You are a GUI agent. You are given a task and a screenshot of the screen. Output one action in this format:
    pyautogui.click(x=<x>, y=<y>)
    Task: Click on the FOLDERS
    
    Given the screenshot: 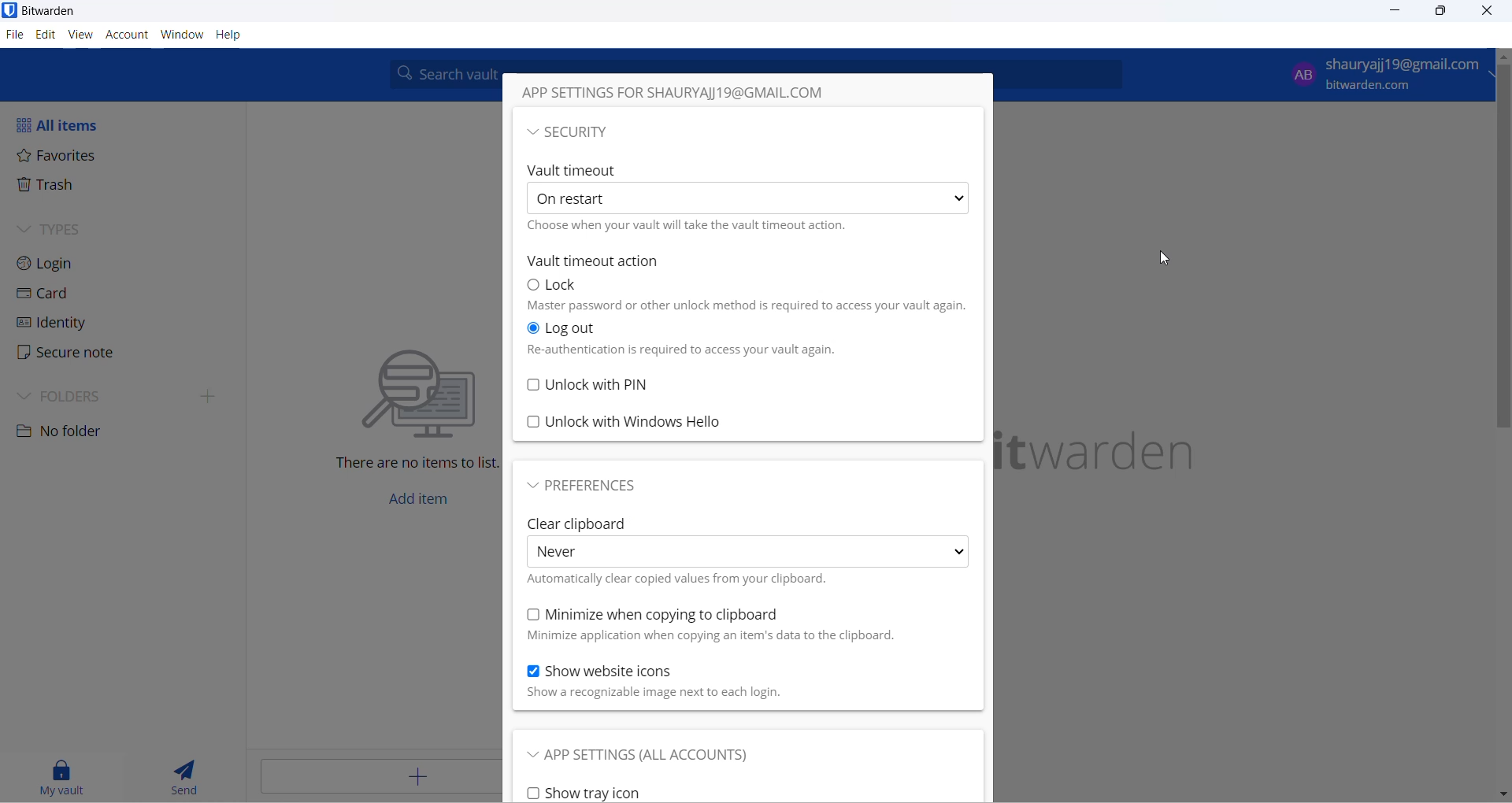 What is the action you would take?
    pyautogui.click(x=72, y=394)
    